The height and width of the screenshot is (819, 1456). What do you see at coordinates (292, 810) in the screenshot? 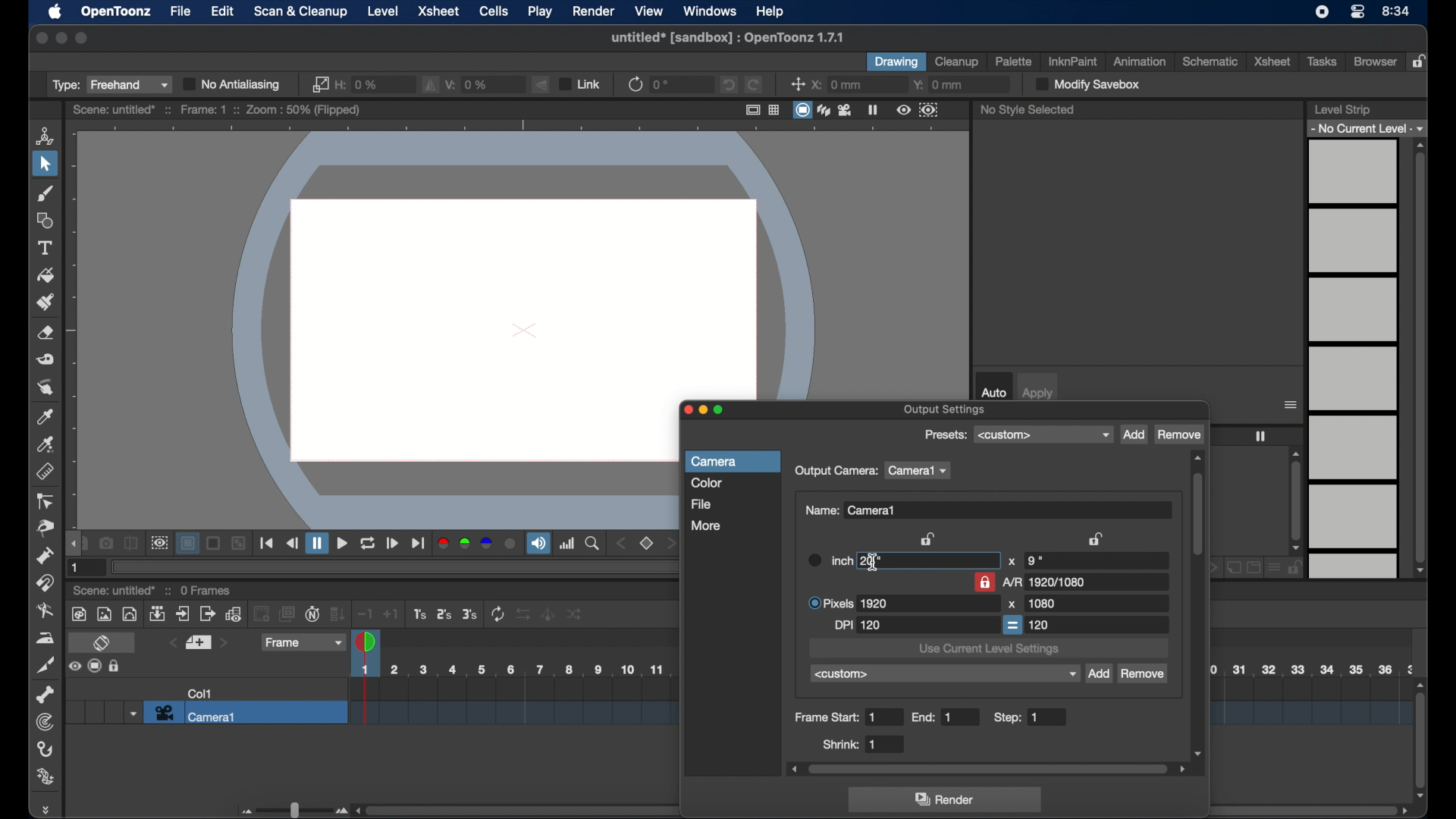
I see `slider` at bounding box center [292, 810].